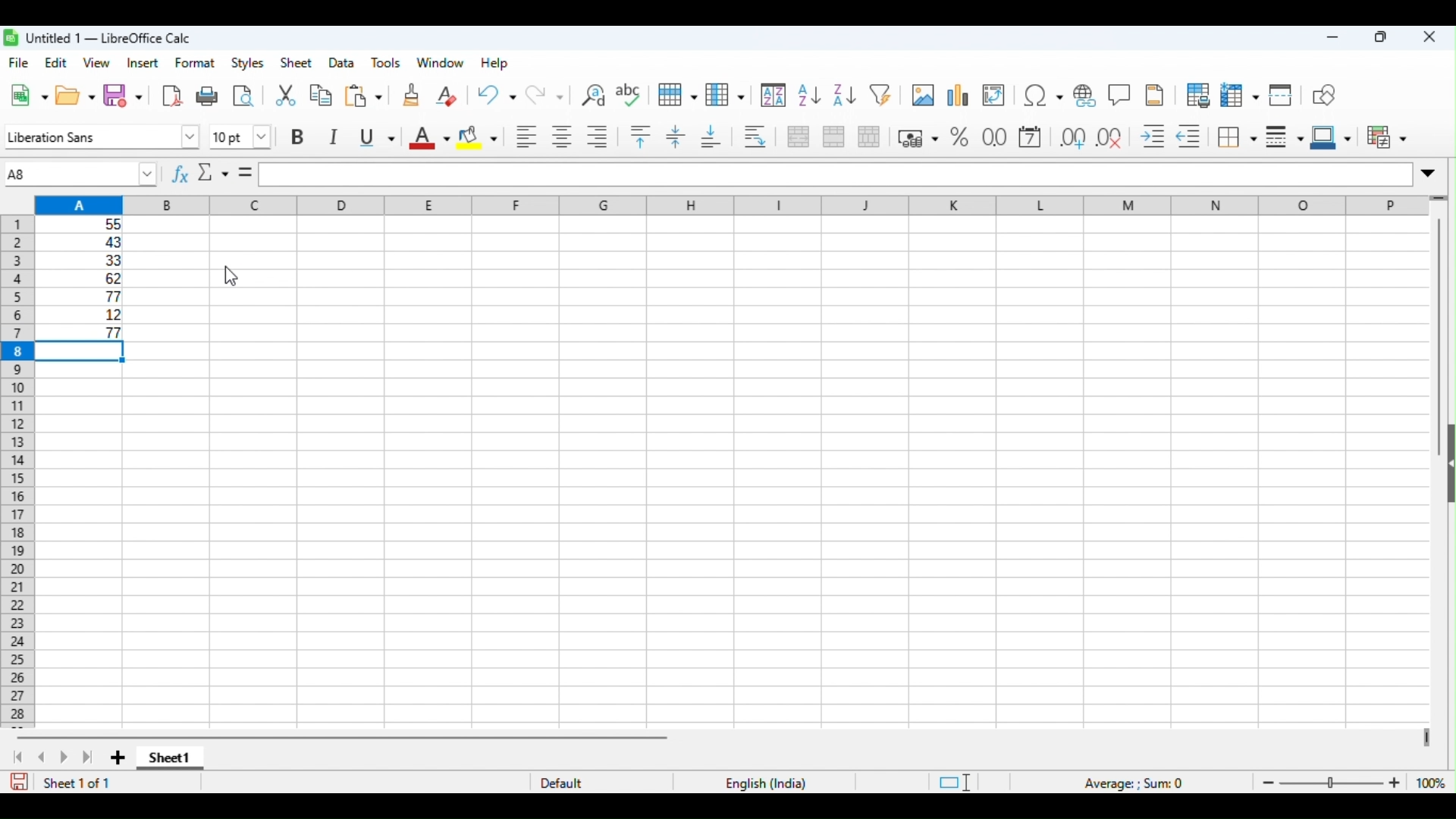  I want to click on cut, so click(285, 97).